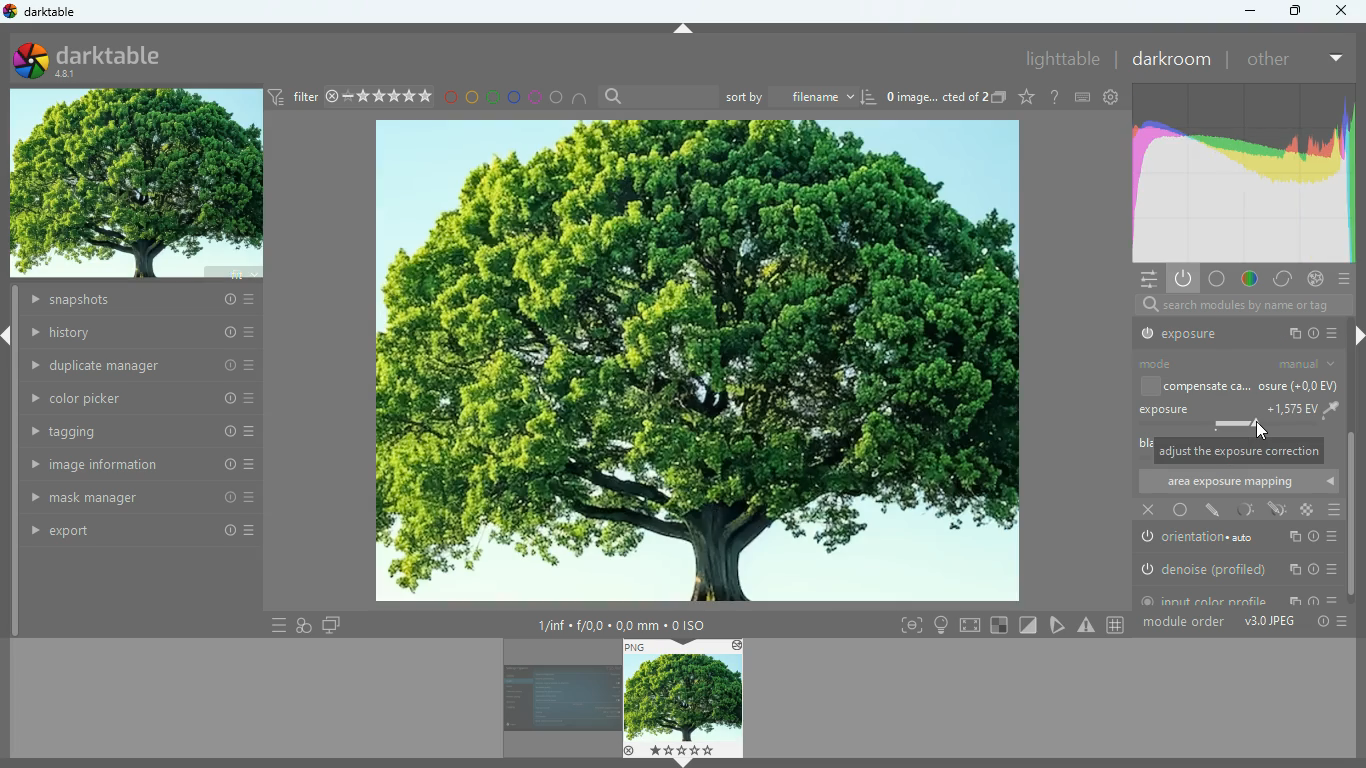  What do you see at coordinates (1184, 278) in the screenshot?
I see `power` at bounding box center [1184, 278].